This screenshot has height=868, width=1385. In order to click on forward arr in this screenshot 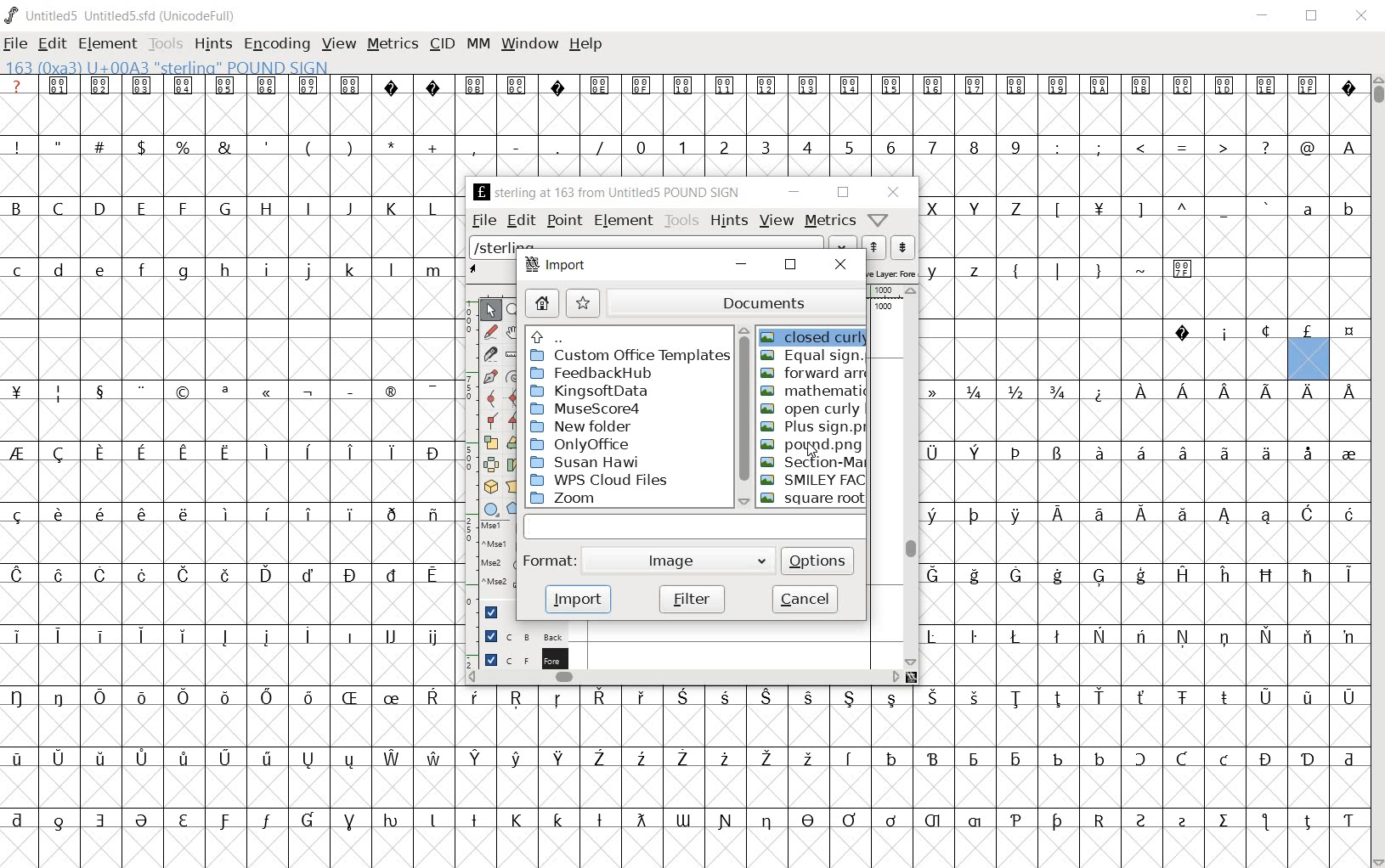, I will do `click(814, 373)`.